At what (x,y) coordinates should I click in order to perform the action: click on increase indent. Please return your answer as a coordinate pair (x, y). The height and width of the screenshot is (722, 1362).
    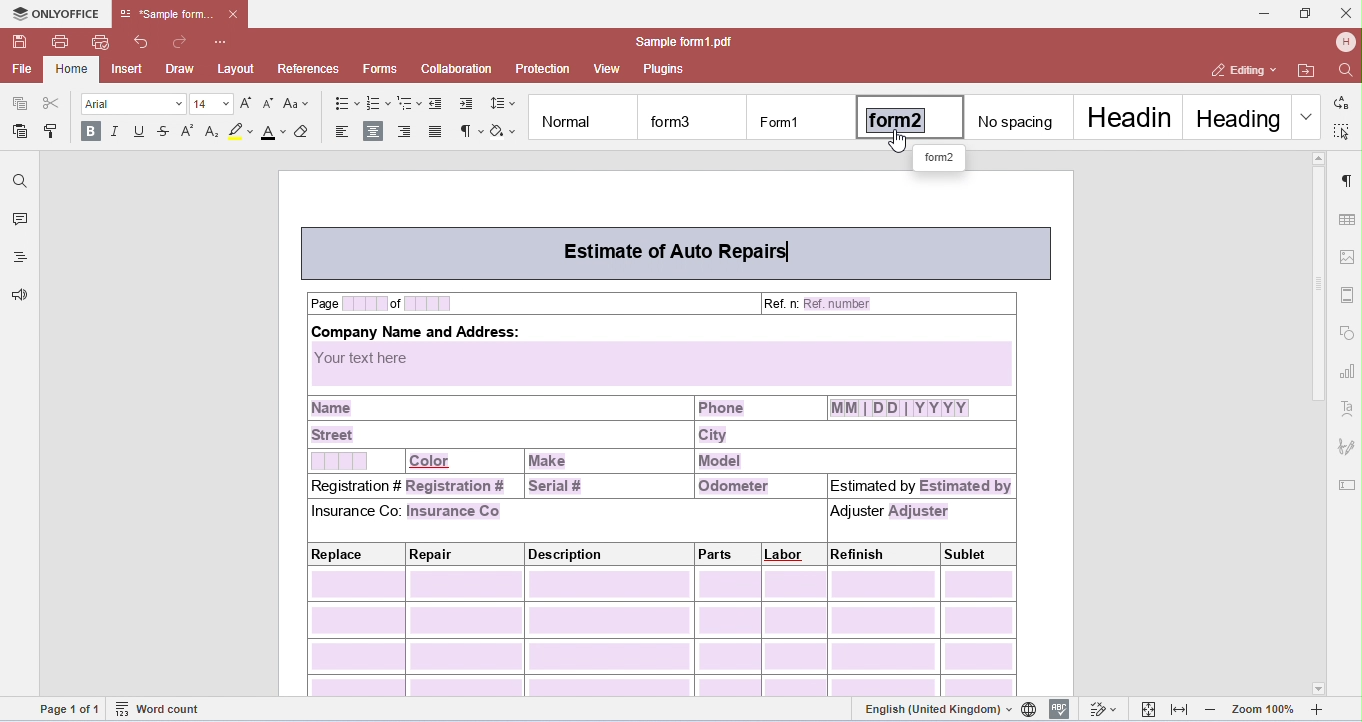
    Looking at the image, I should click on (466, 104).